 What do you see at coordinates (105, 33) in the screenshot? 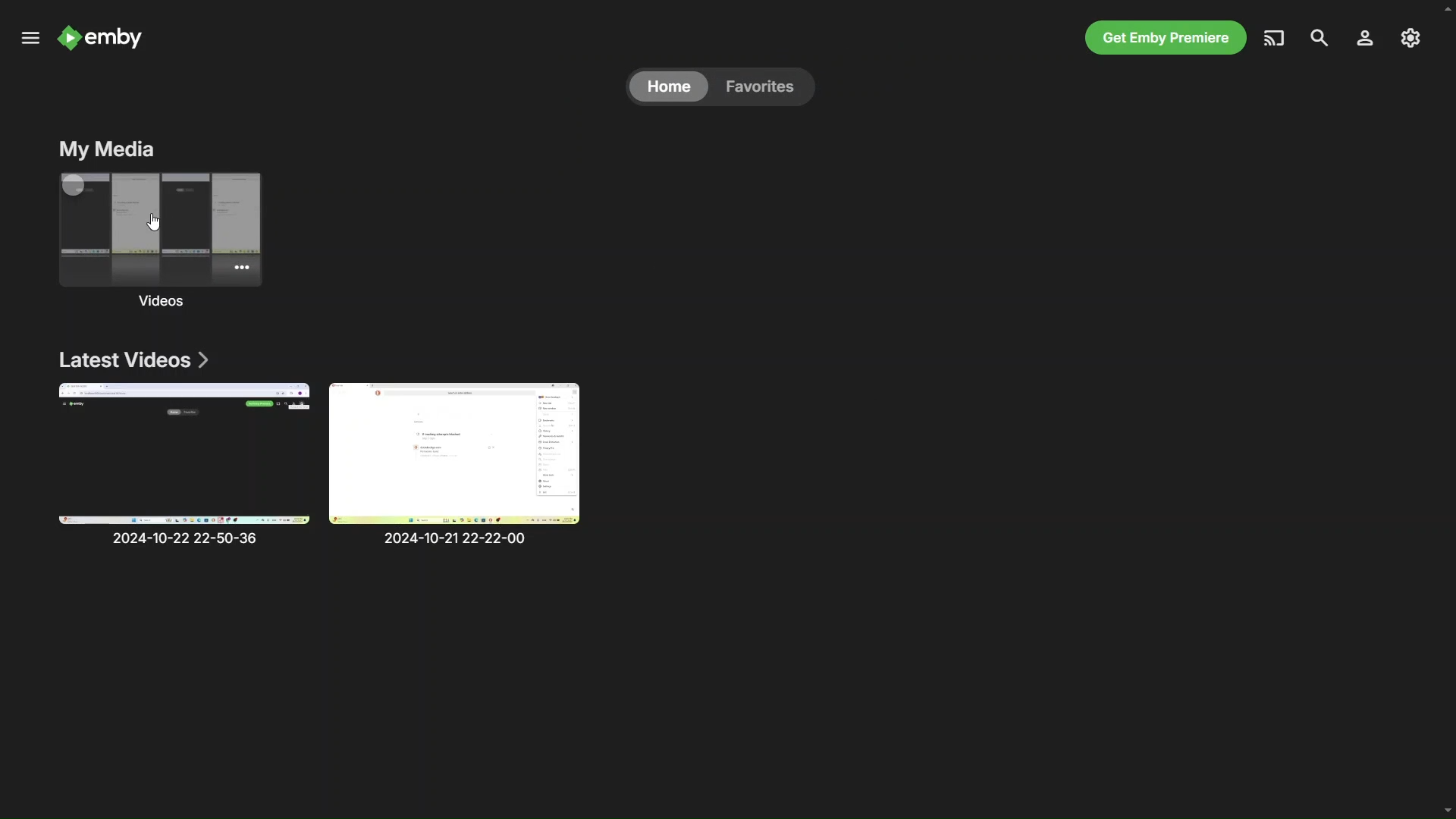
I see `emby` at bounding box center [105, 33].